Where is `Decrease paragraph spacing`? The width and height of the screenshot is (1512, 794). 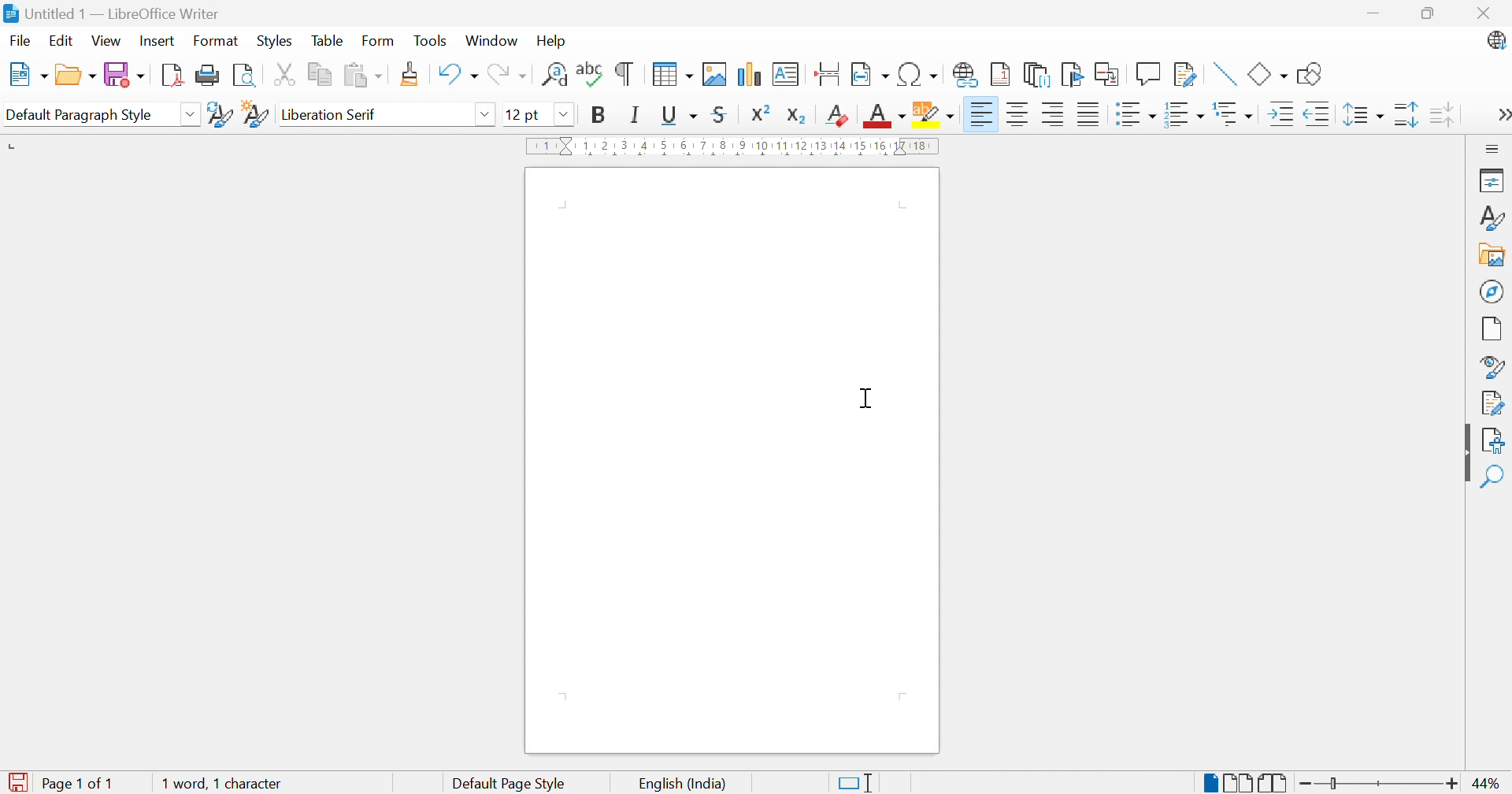
Decrease paragraph spacing is located at coordinates (1444, 116).